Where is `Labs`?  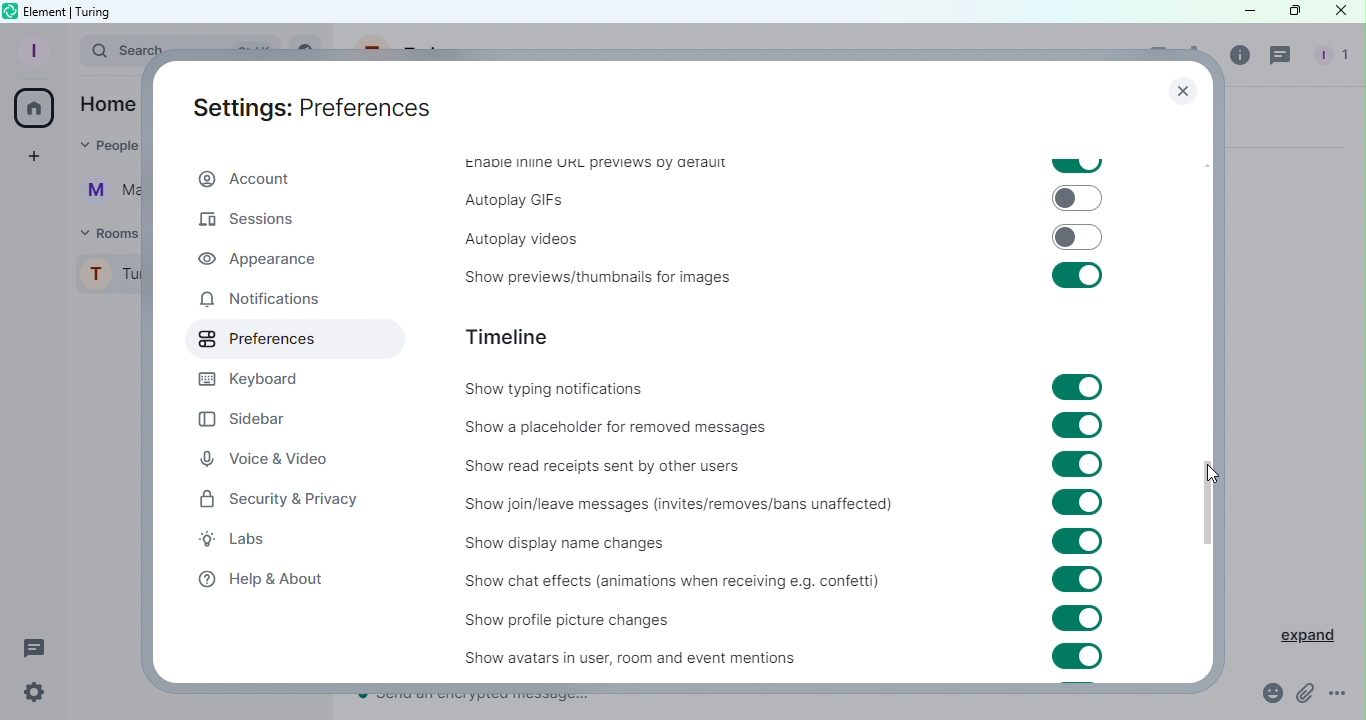 Labs is located at coordinates (251, 541).